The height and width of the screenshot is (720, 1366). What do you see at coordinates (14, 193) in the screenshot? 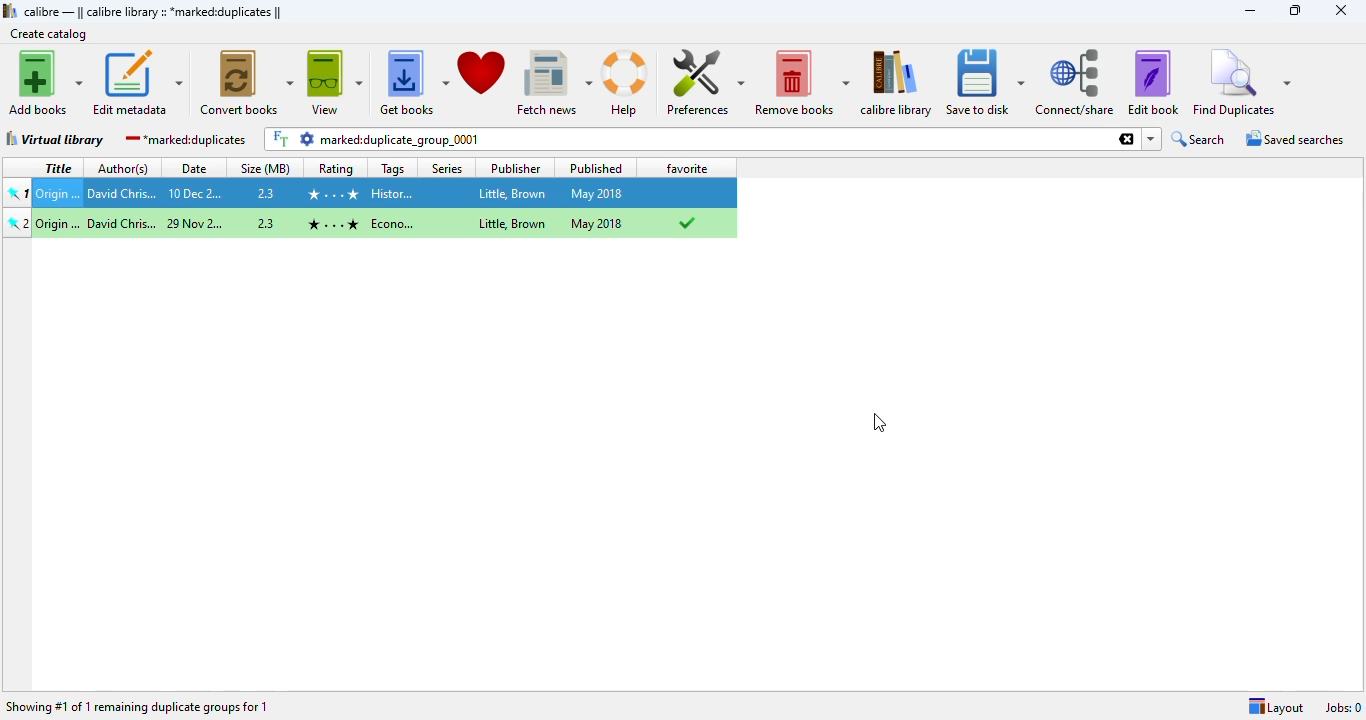
I see `pinned book 1` at bounding box center [14, 193].